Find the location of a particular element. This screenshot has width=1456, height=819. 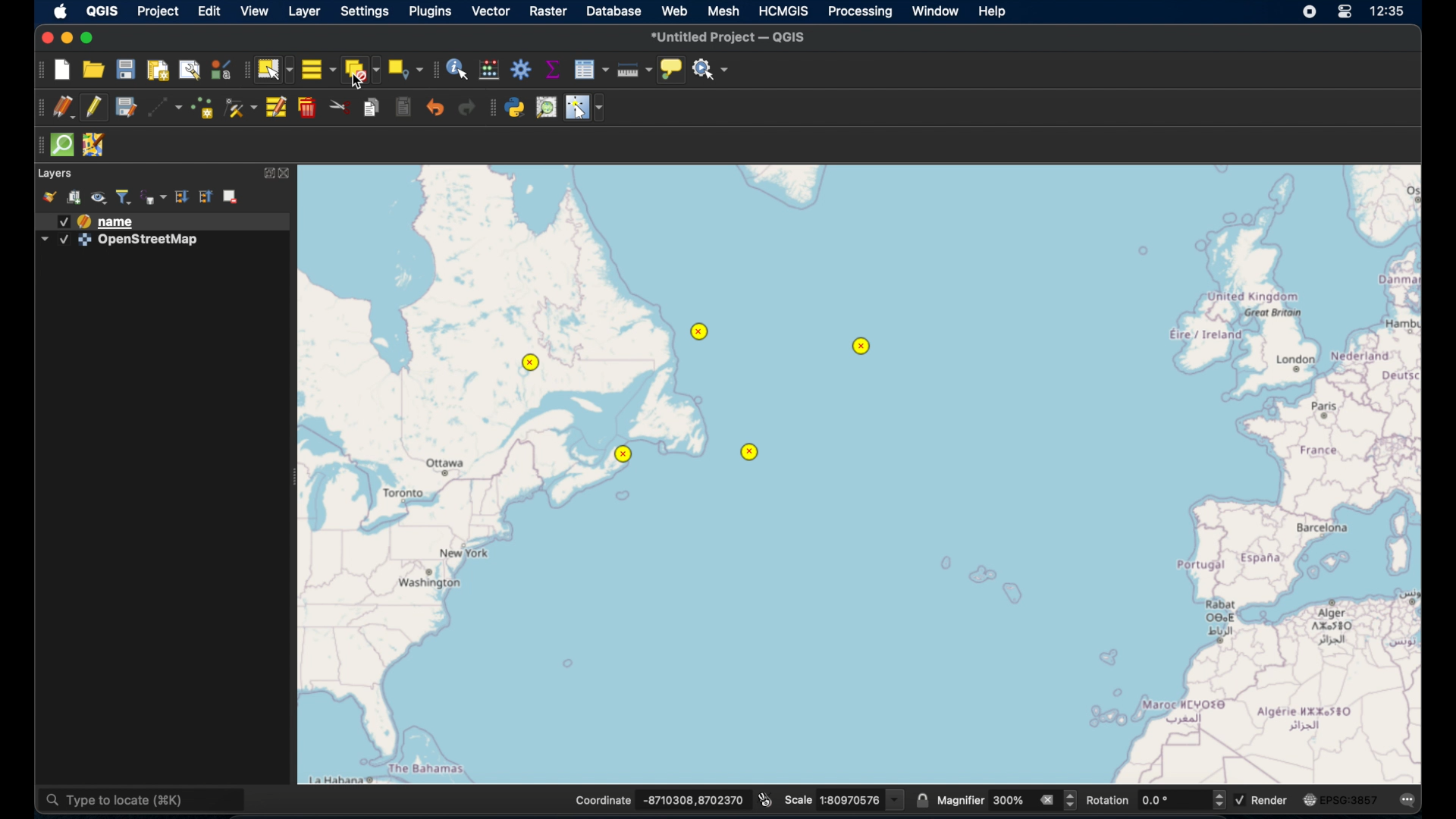

redo is located at coordinates (468, 108).